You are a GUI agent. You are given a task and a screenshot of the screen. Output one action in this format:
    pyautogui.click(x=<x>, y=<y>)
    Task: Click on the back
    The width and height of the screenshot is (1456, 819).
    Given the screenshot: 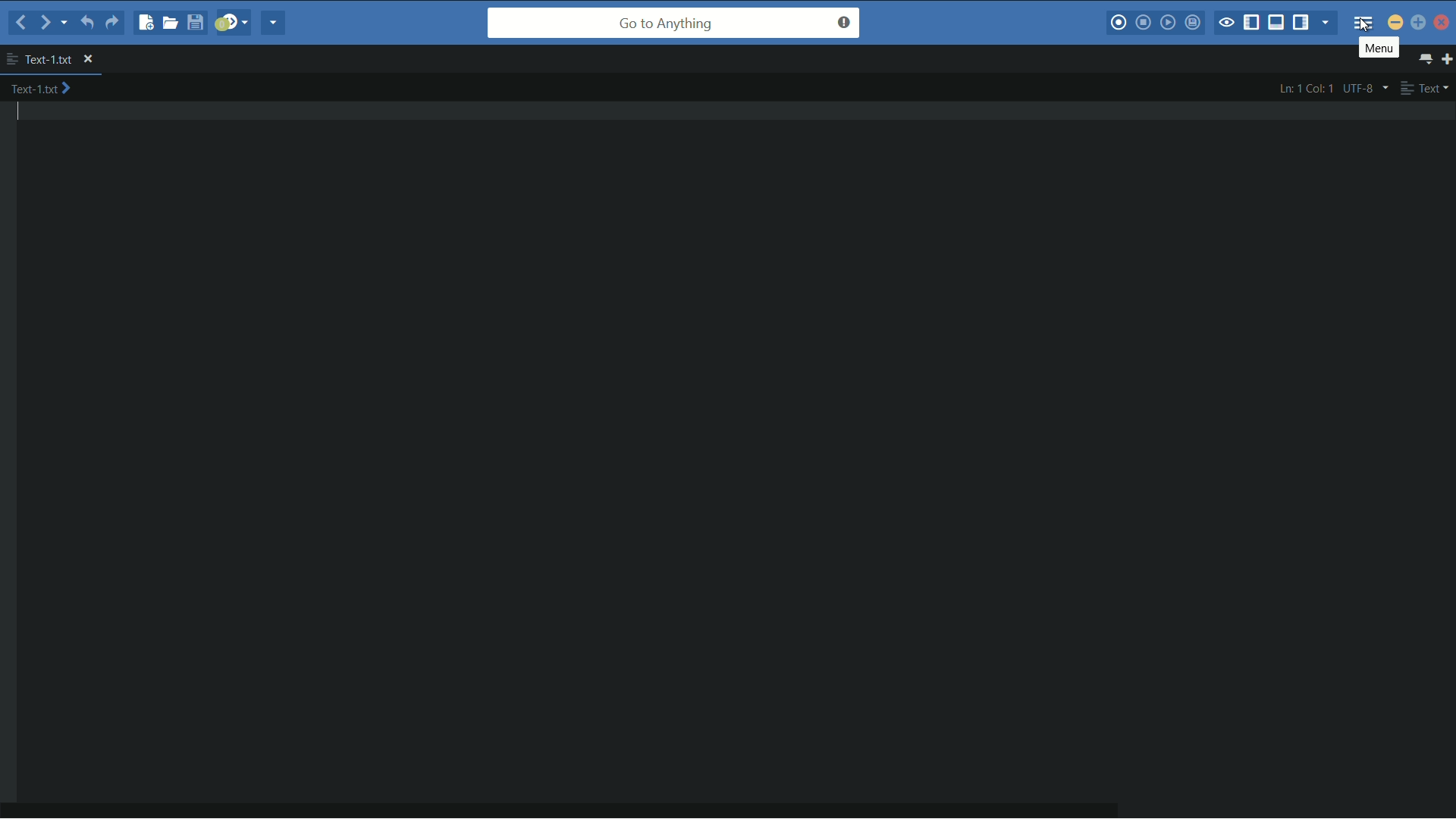 What is the action you would take?
    pyautogui.click(x=19, y=22)
    